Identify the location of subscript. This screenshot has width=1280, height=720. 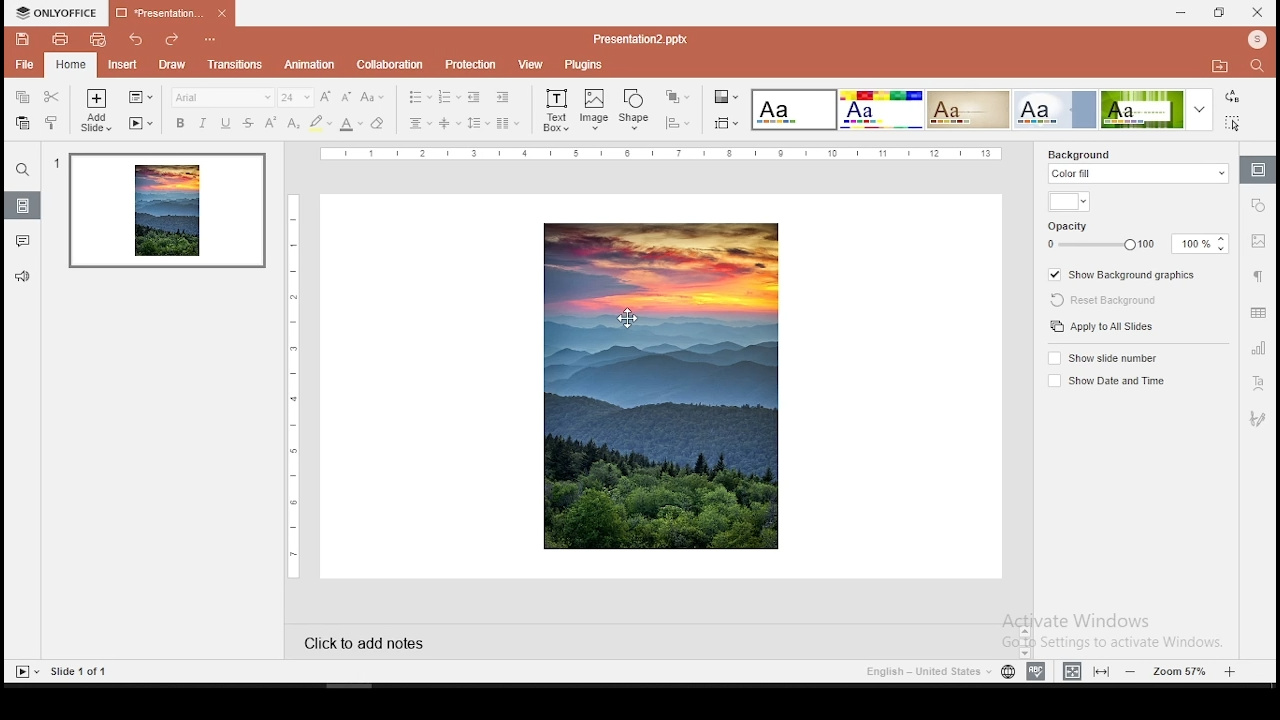
(293, 122).